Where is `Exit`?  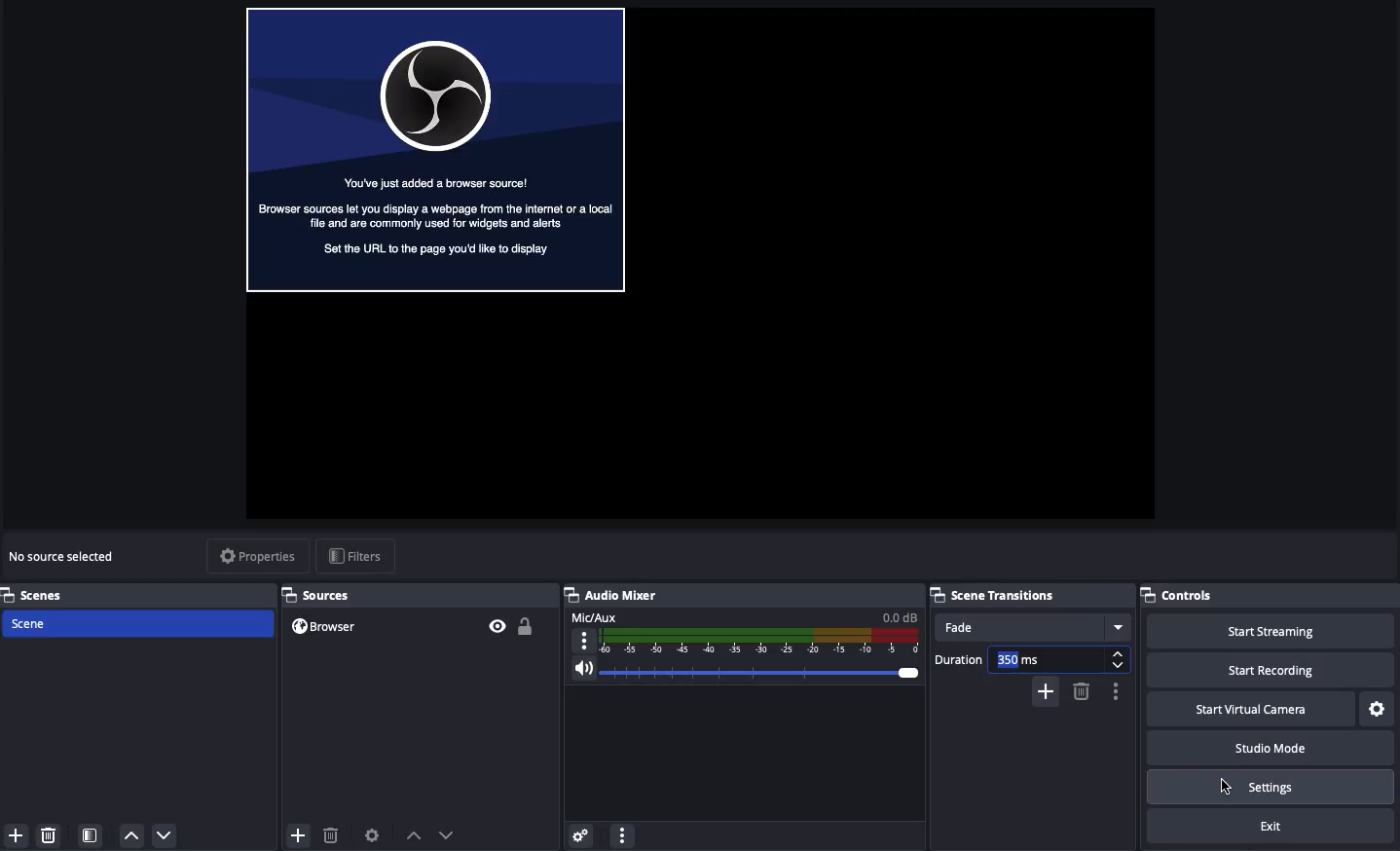 Exit is located at coordinates (1268, 831).